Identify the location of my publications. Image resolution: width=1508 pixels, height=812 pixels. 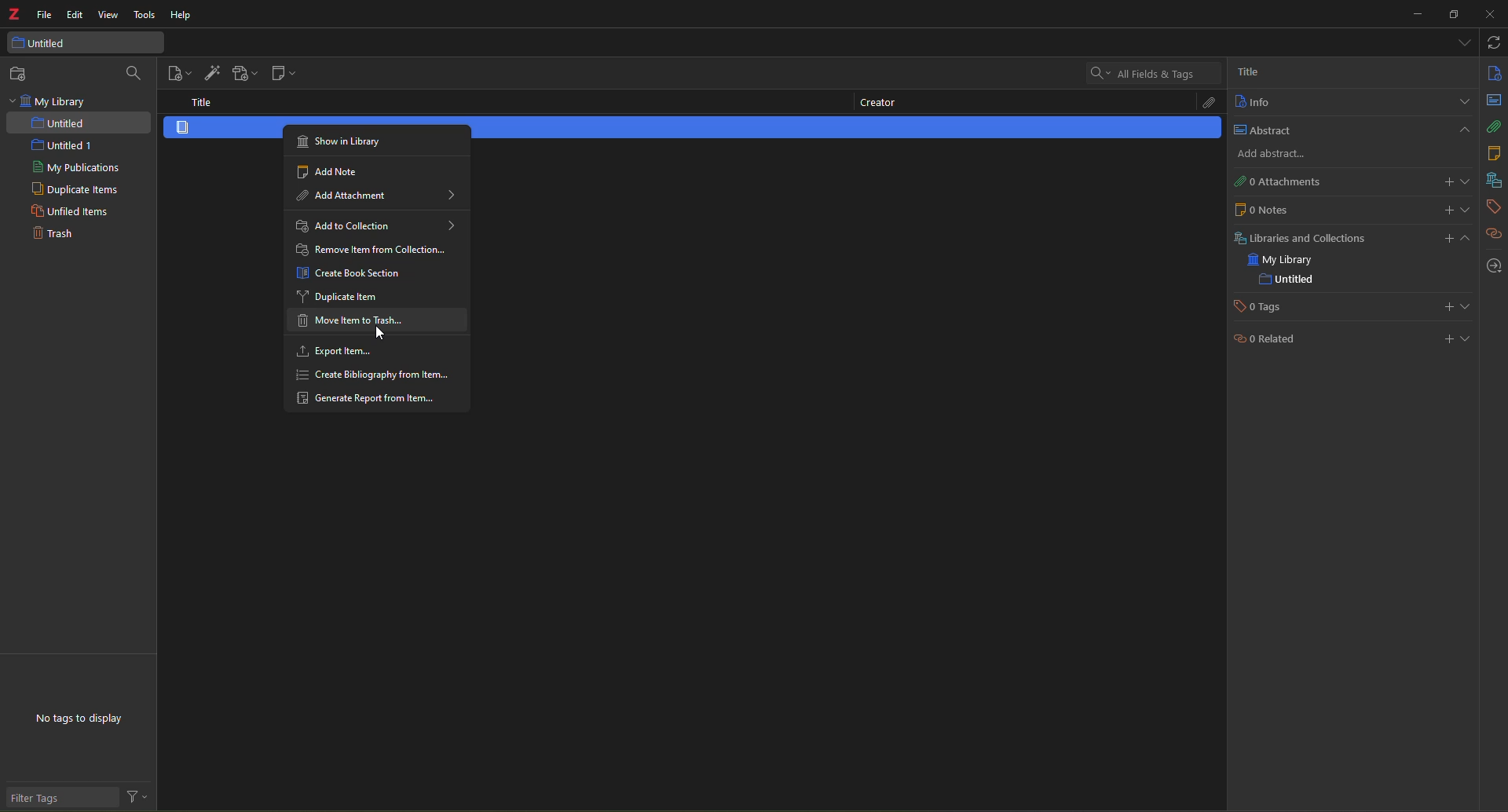
(77, 168).